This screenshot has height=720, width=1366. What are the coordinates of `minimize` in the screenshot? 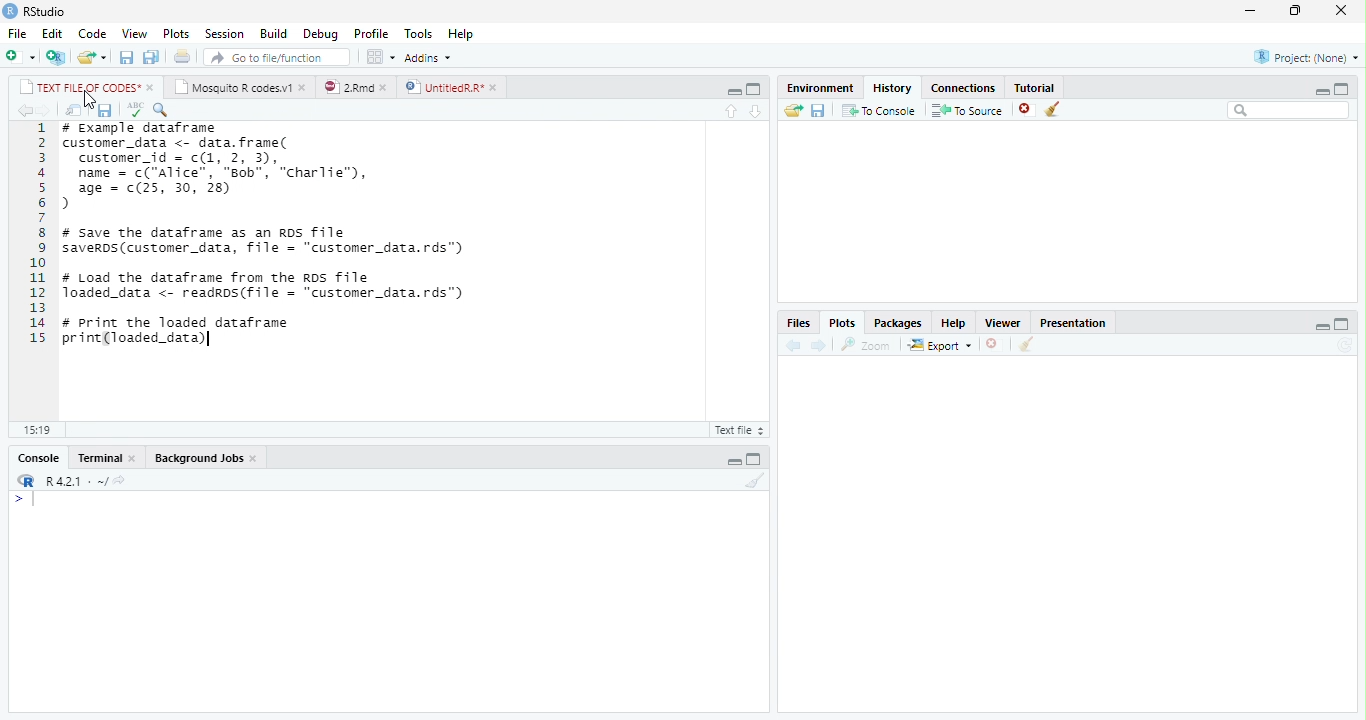 It's located at (1250, 10).